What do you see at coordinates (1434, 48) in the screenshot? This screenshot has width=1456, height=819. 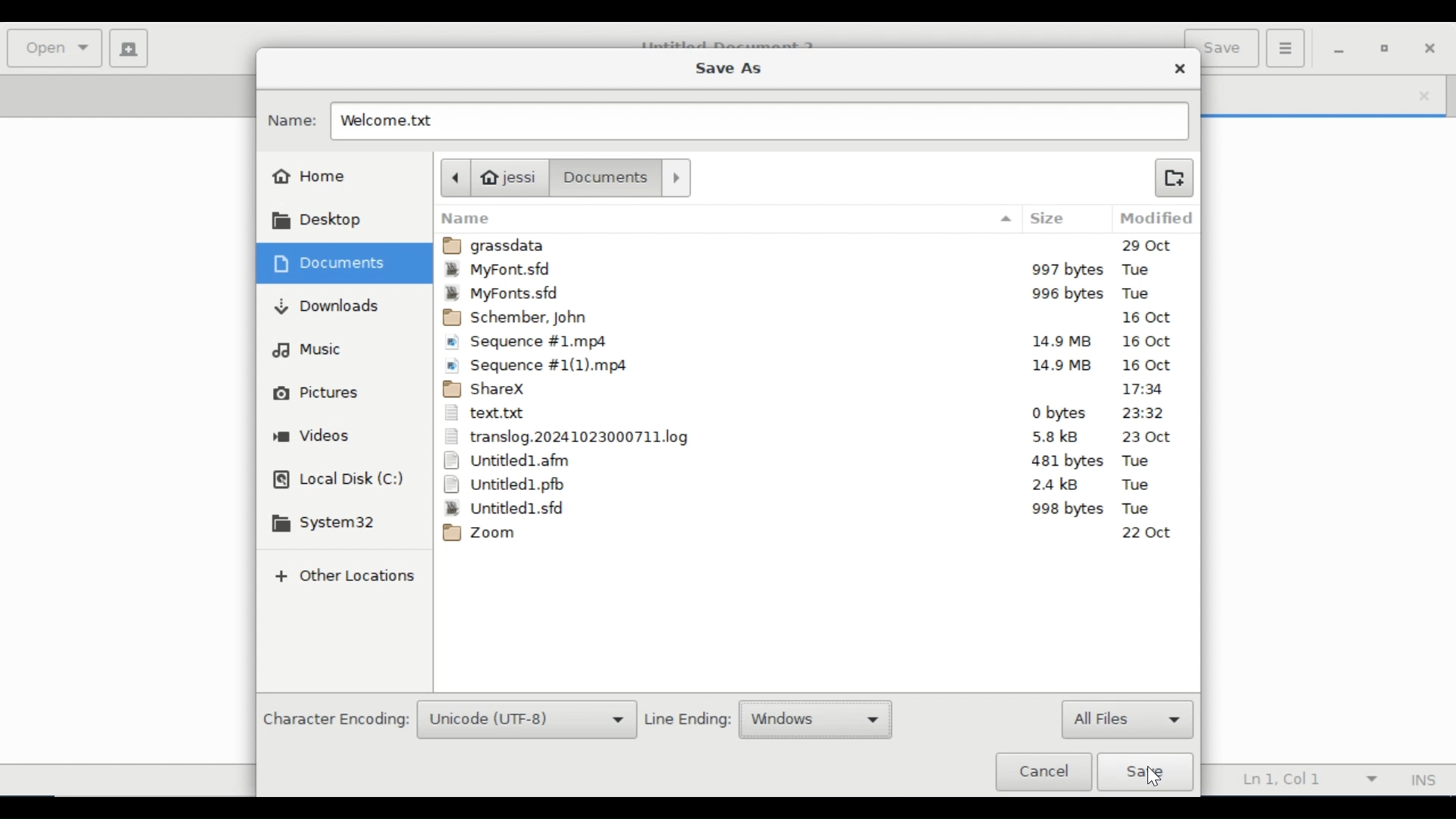 I see `Close` at bounding box center [1434, 48].